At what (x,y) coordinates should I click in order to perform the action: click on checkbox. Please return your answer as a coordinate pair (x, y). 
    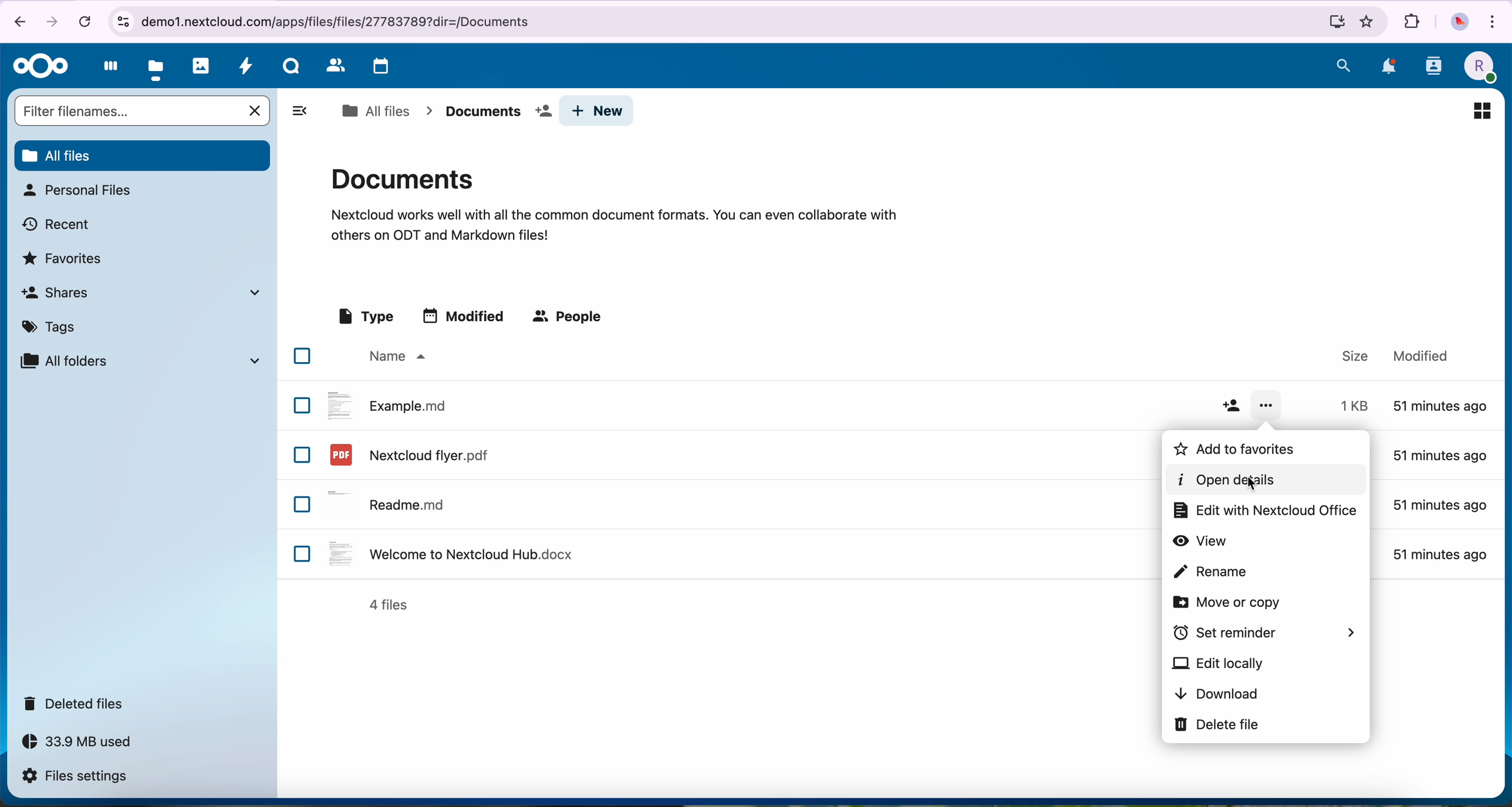
    Looking at the image, I should click on (302, 356).